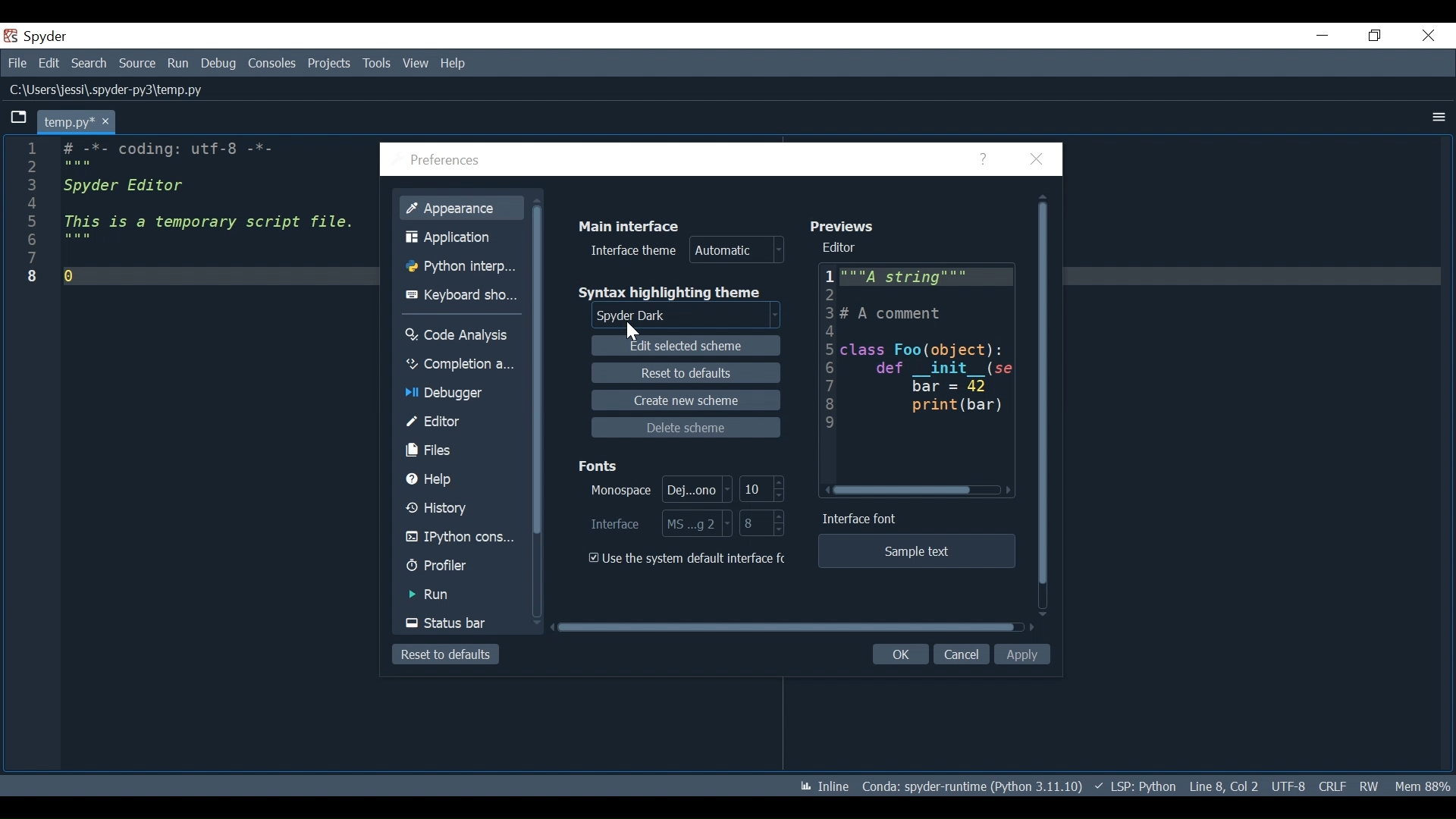 The width and height of the screenshot is (1456, 819). I want to click on OK, so click(902, 654).